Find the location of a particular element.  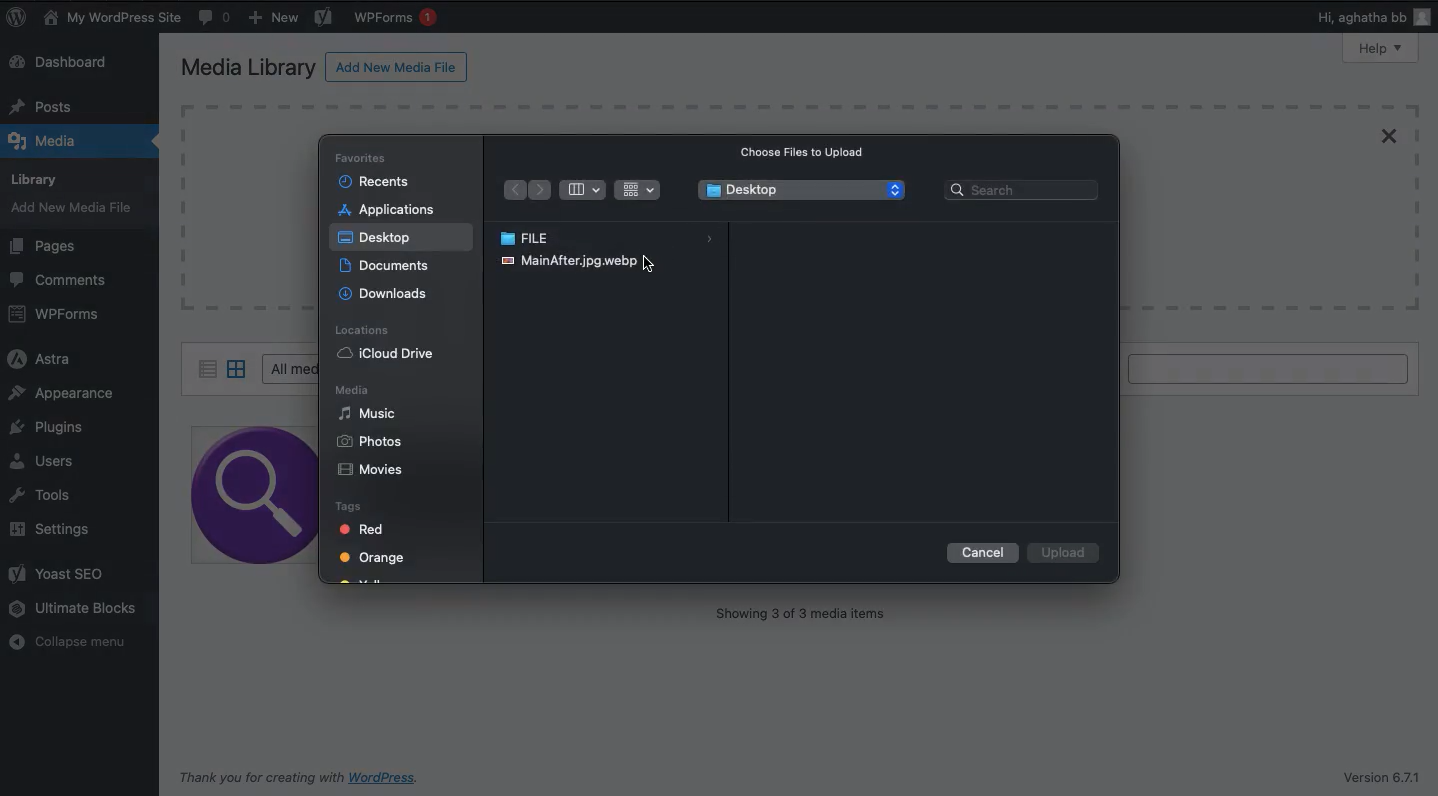

Favorites is located at coordinates (359, 160).